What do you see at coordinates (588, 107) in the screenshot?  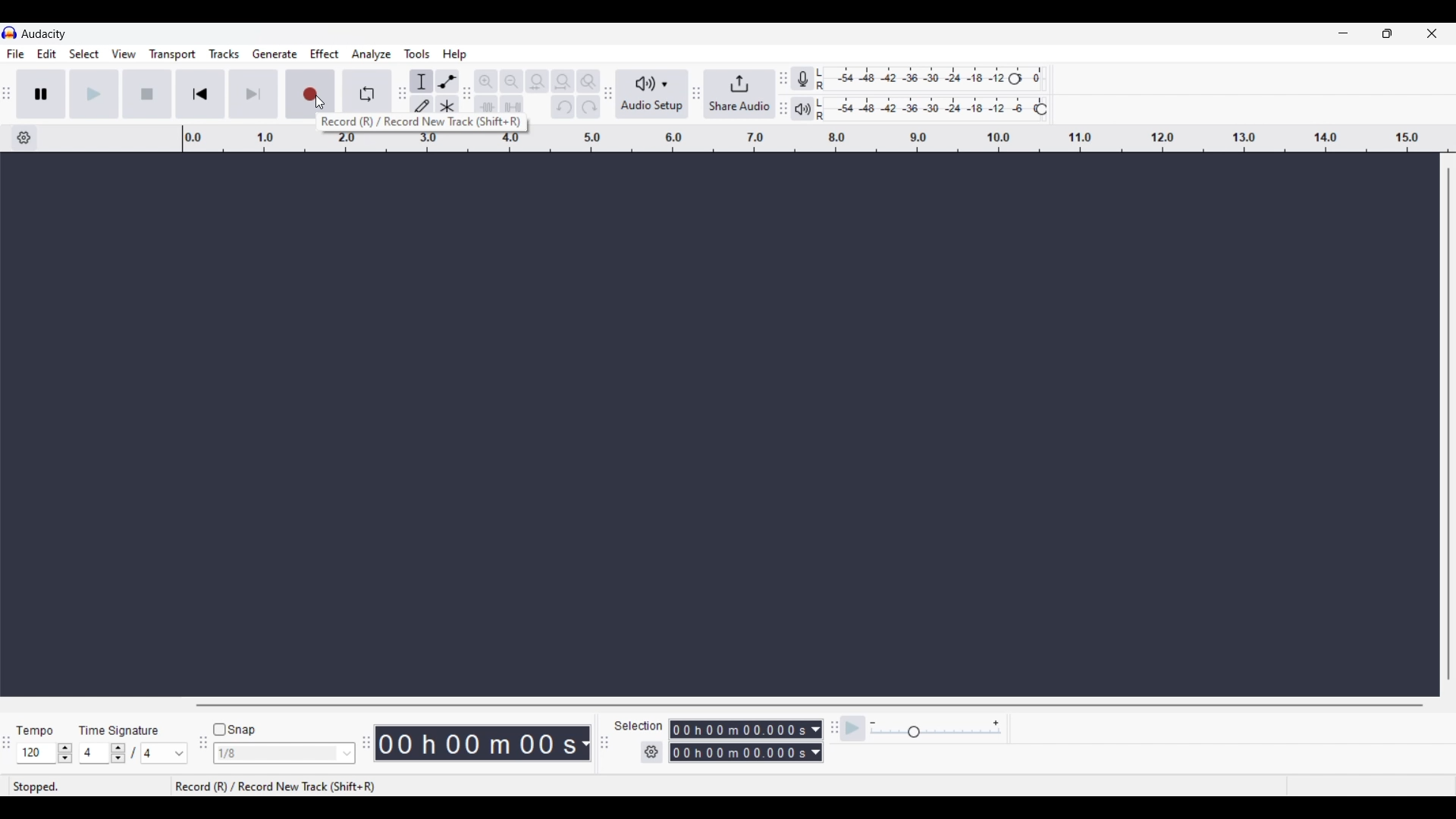 I see `Redo` at bounding box center [588, 107].